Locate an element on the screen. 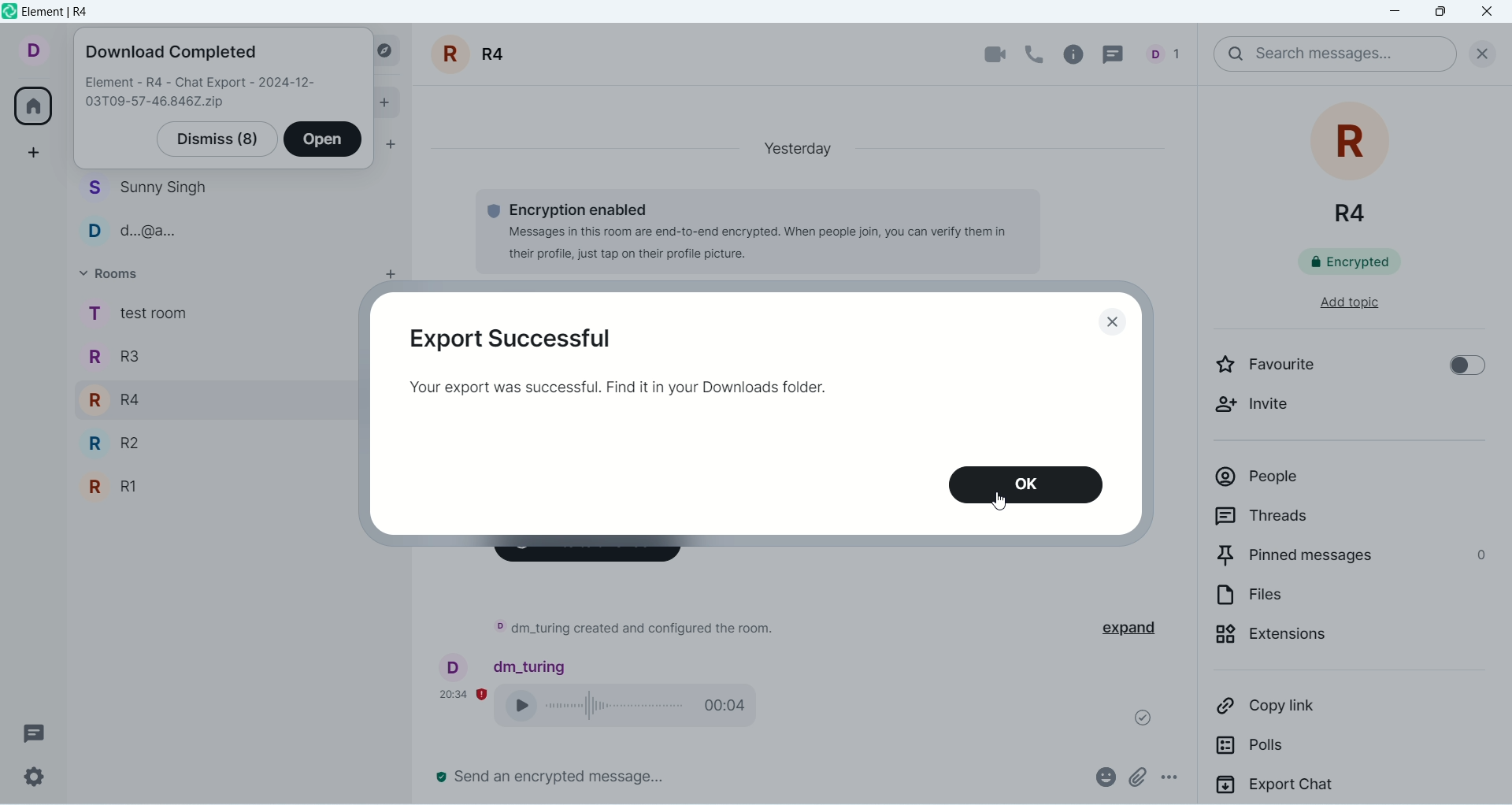  people is located at coordinates (150, 210).